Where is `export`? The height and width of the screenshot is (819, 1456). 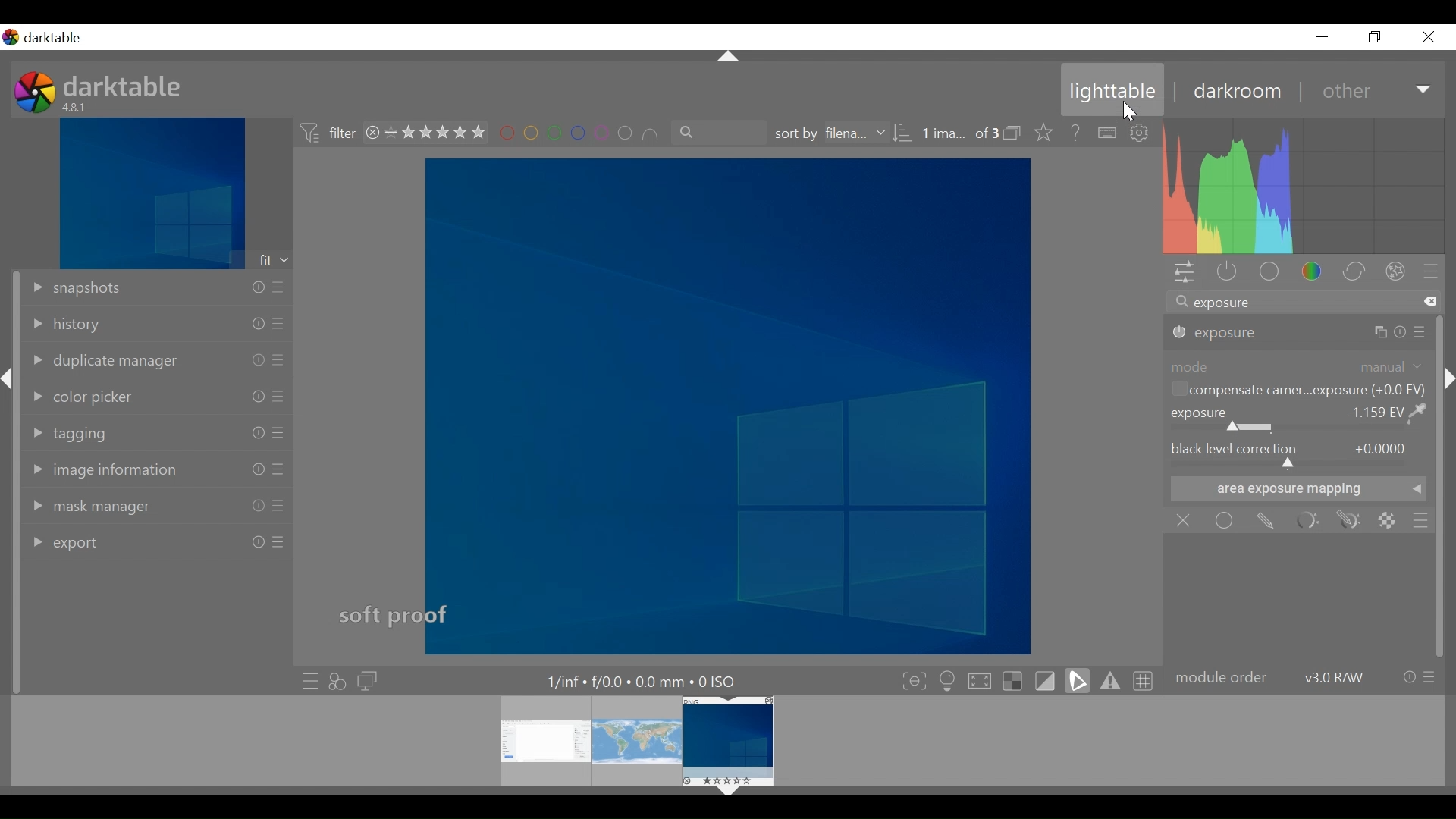 export is located at coordinates (63, 544).